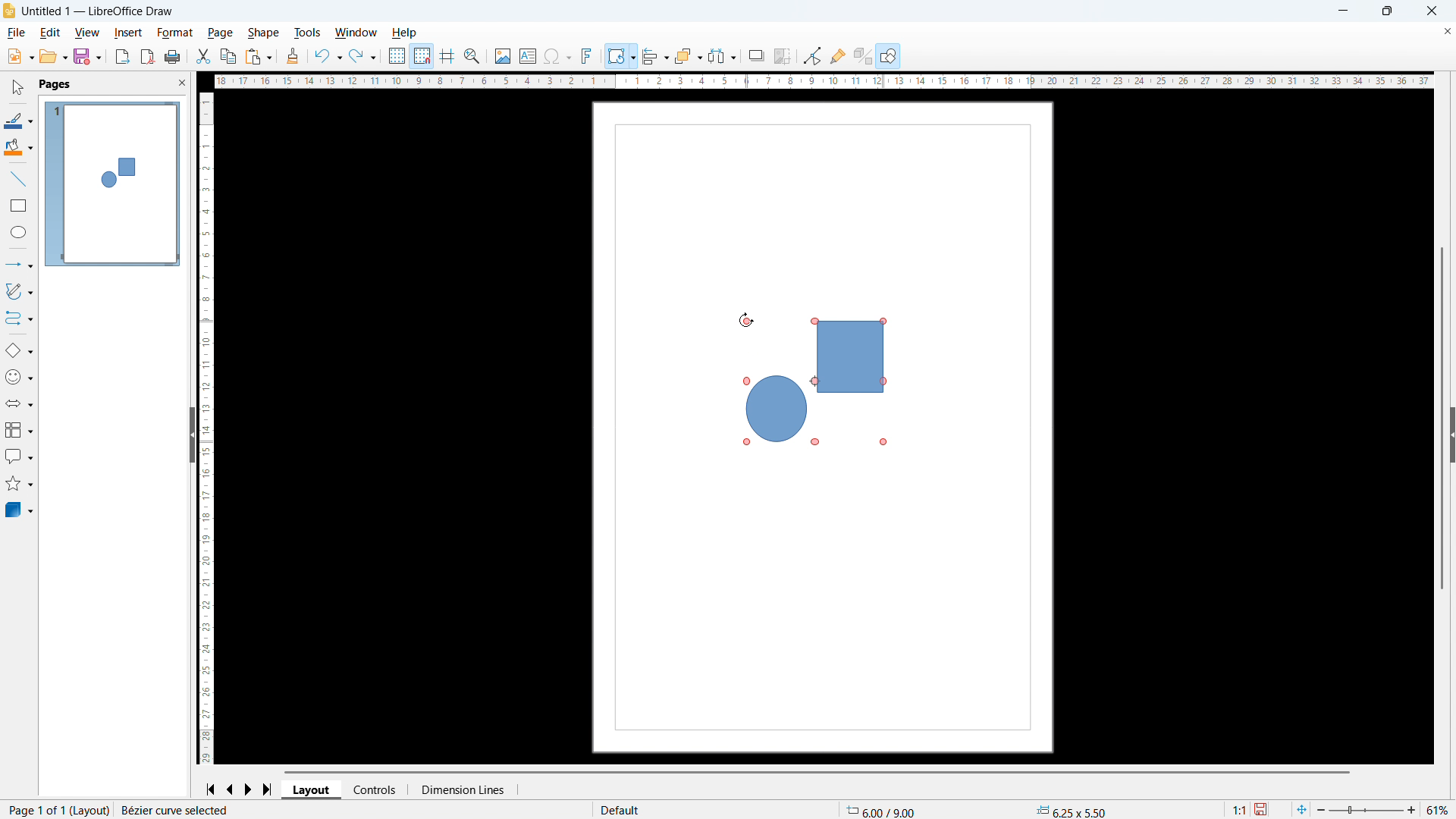 The image size is (1456, 819). I want to click on Insert image , so click(504, 55).